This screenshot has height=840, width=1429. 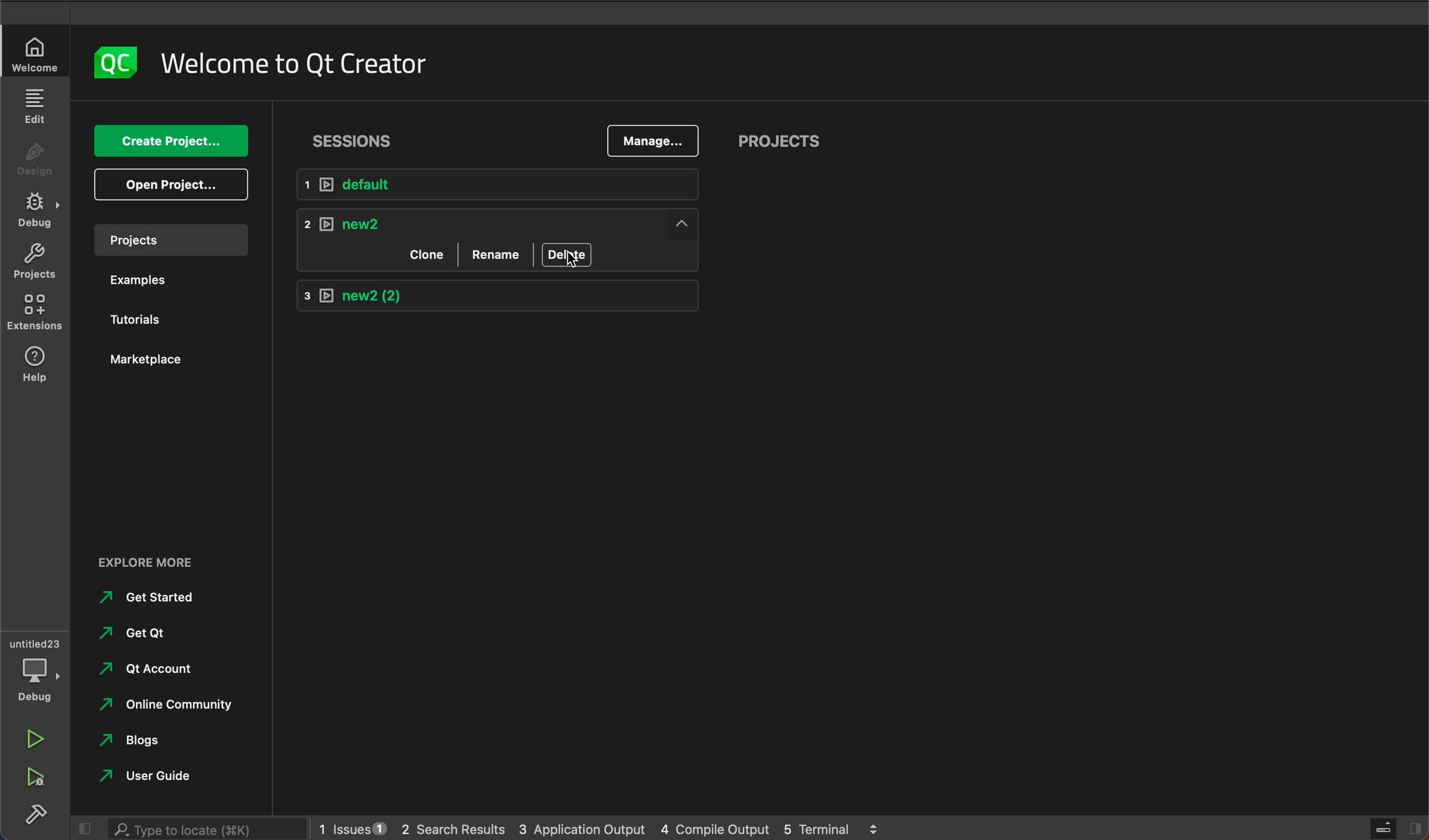 What do you see at coordinates (358, 139) in the screenshot?
I see `sessions` at bounding box center [358, 139].